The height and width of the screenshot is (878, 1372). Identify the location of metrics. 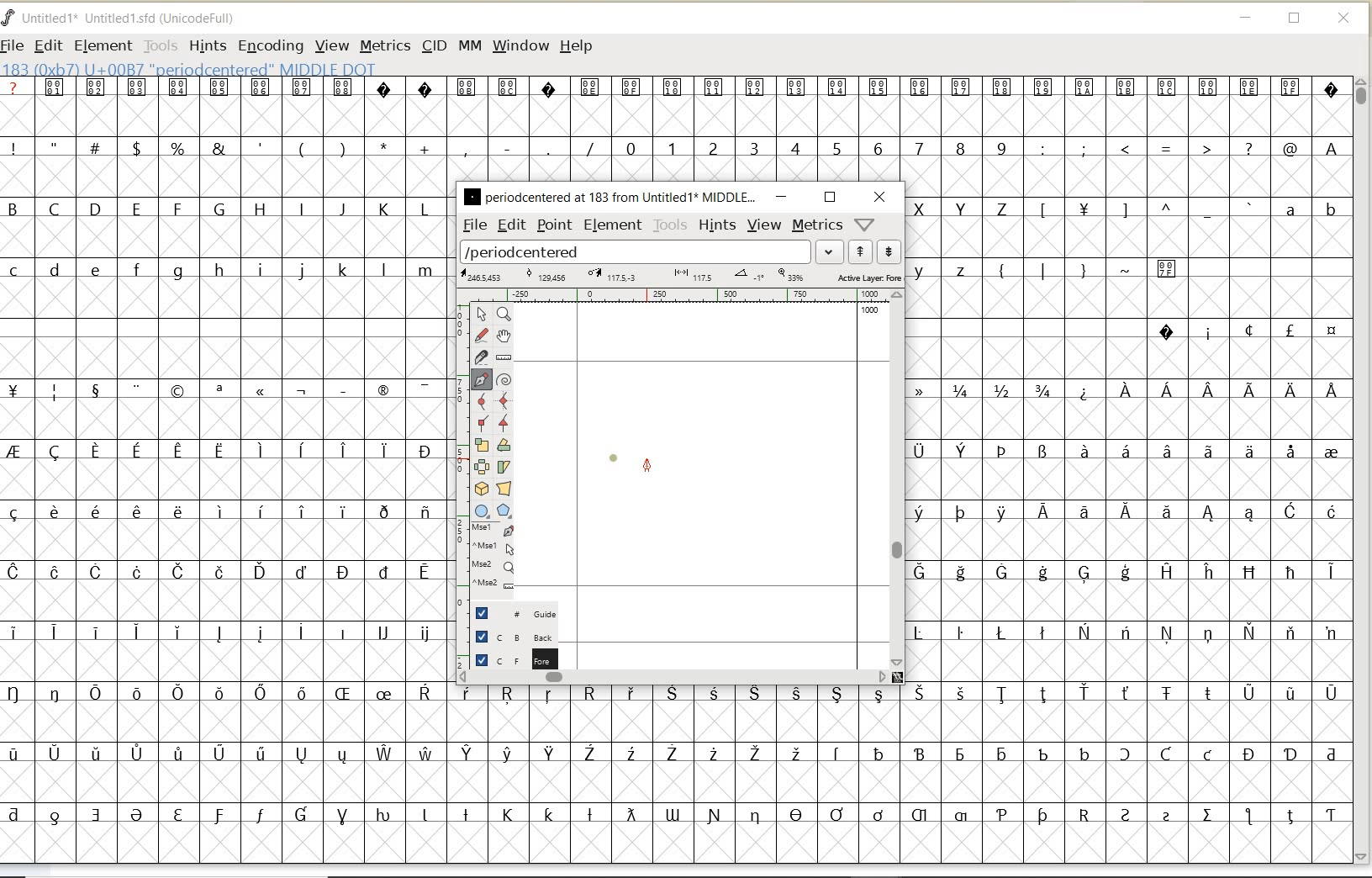
(818, 225).